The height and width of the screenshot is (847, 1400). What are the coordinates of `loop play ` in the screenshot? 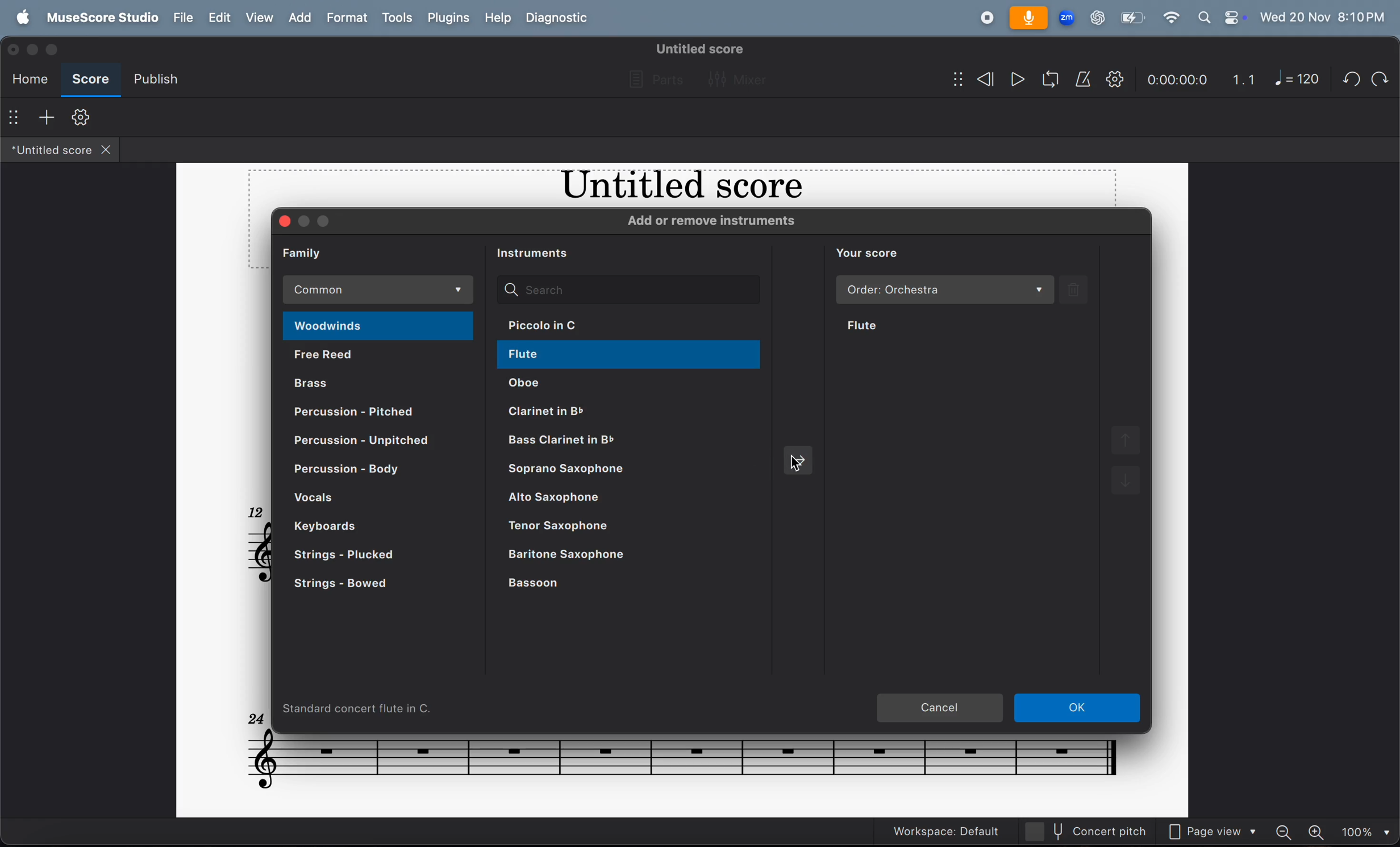 It's located at (1047, 77).